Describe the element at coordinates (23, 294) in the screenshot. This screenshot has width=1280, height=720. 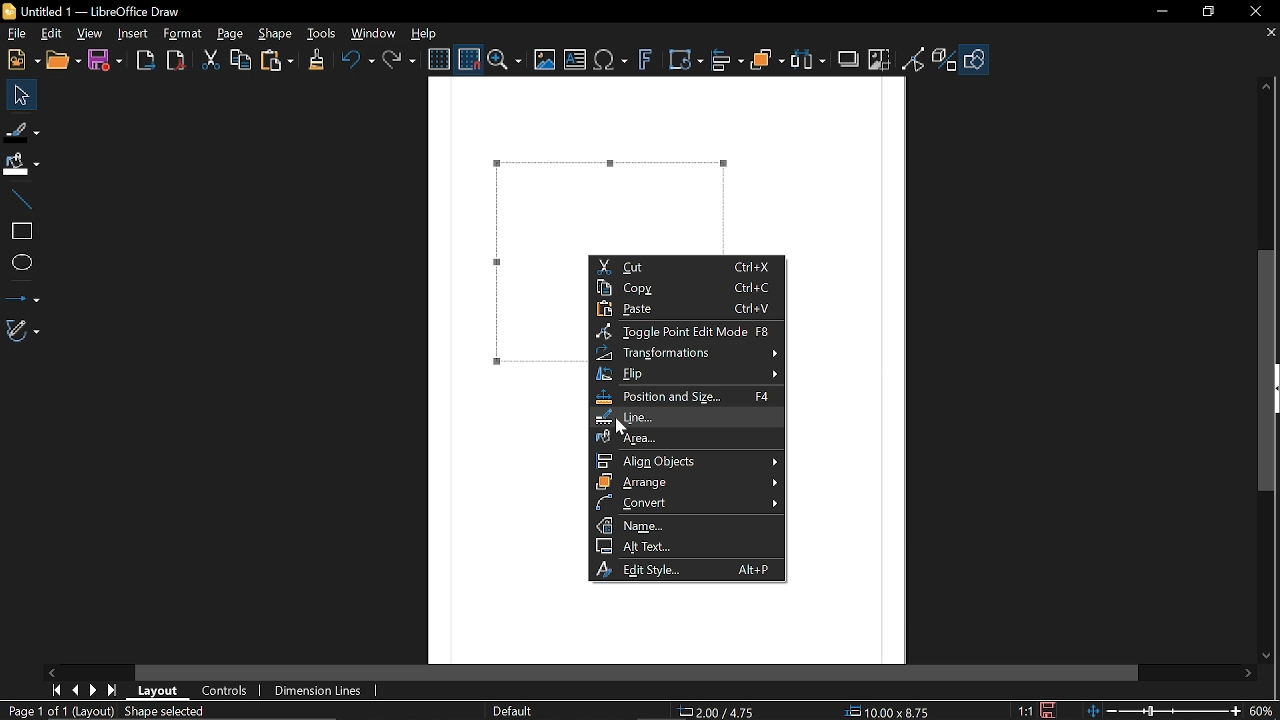
I see `Lines and arrows` at that location.